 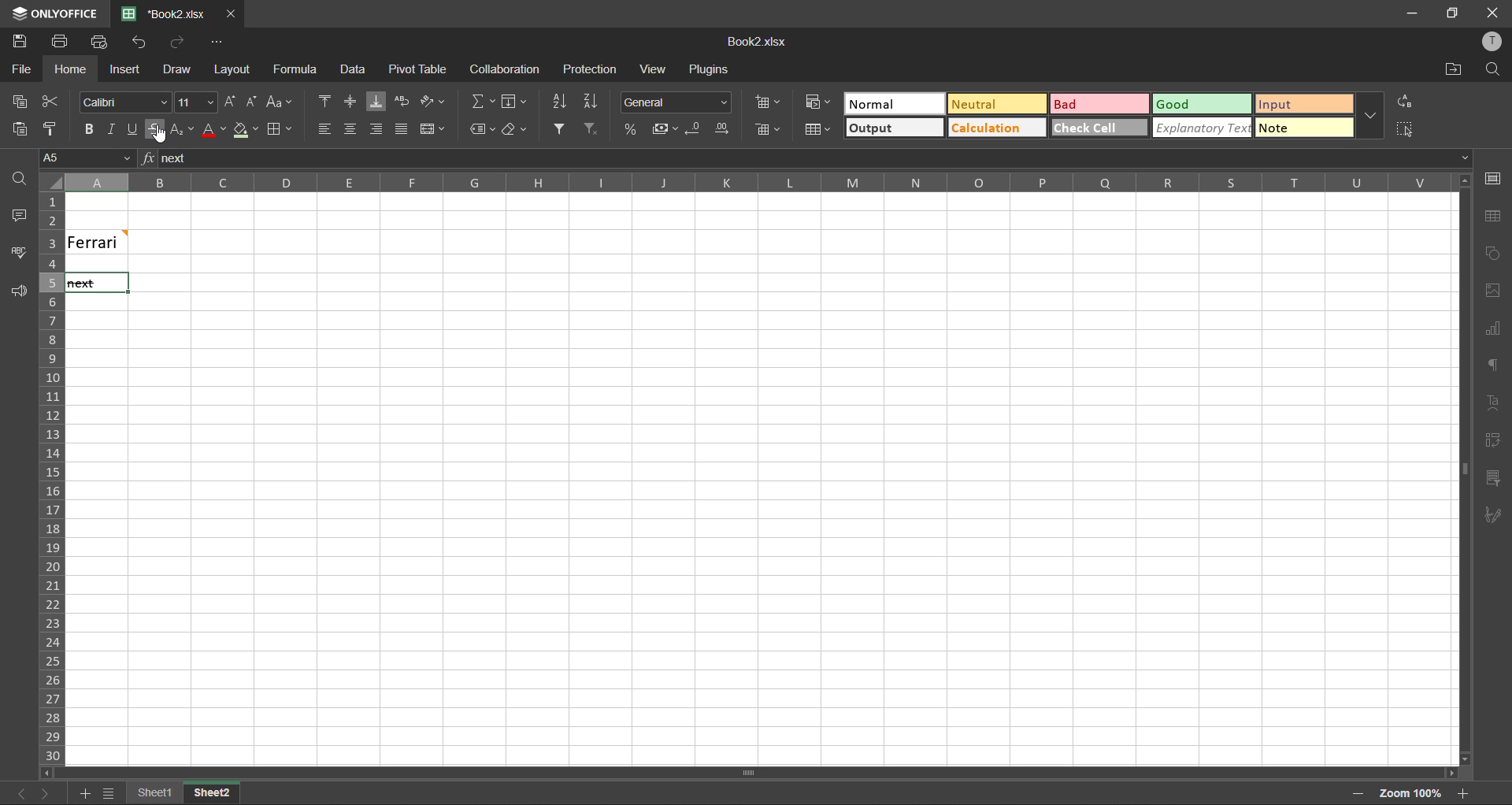 What do you see at coordinates (996, 106) in the screenshot?
I see `neutral` at bounding box center [996, 106].